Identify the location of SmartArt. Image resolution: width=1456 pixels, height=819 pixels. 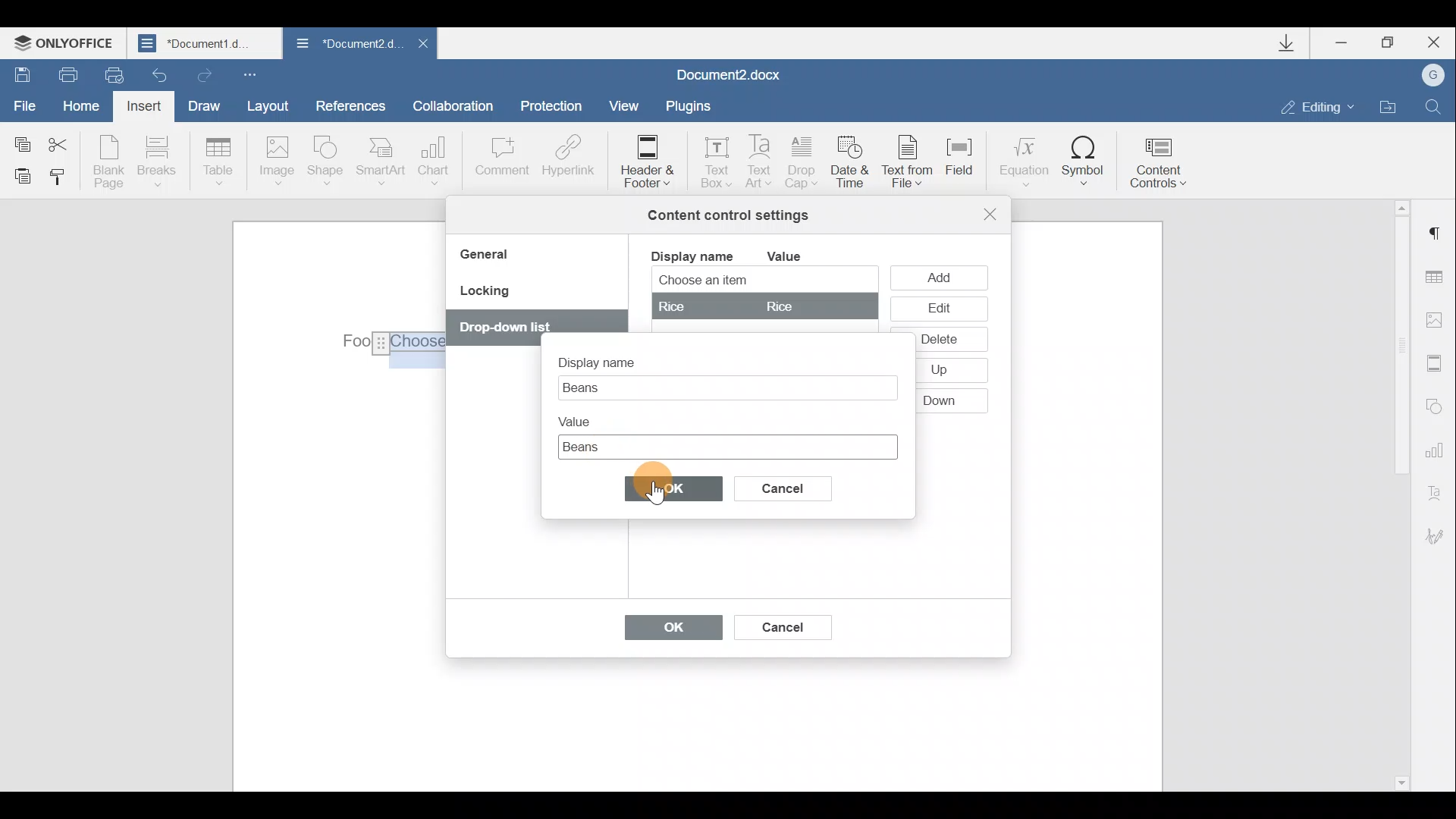
(381, 160).